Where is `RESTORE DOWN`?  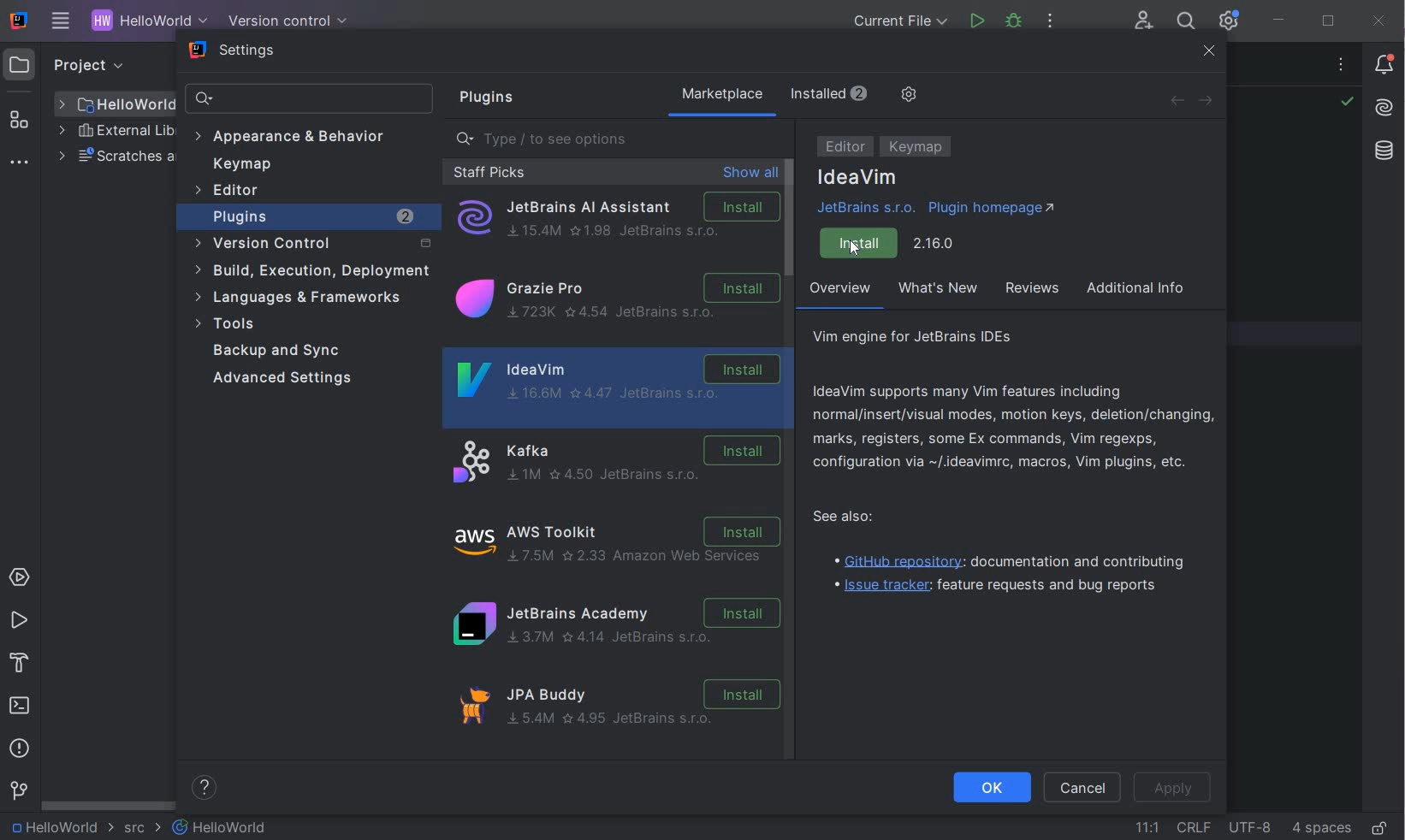
RESTORE DOWN is located at coordinates (1328, 23).